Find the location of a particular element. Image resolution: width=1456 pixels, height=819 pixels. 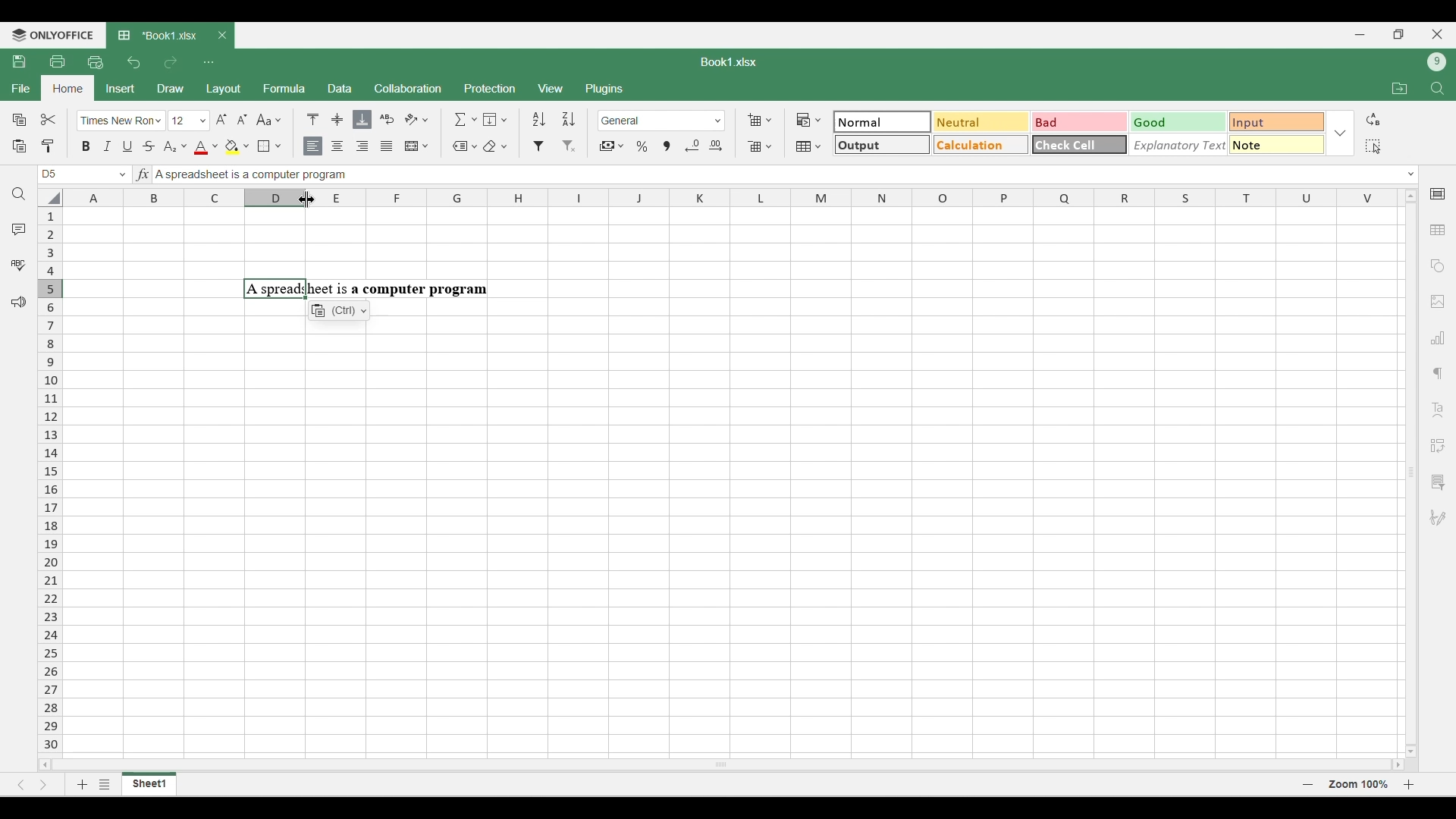

Collaboration menu is located at coordinates (409, 88).